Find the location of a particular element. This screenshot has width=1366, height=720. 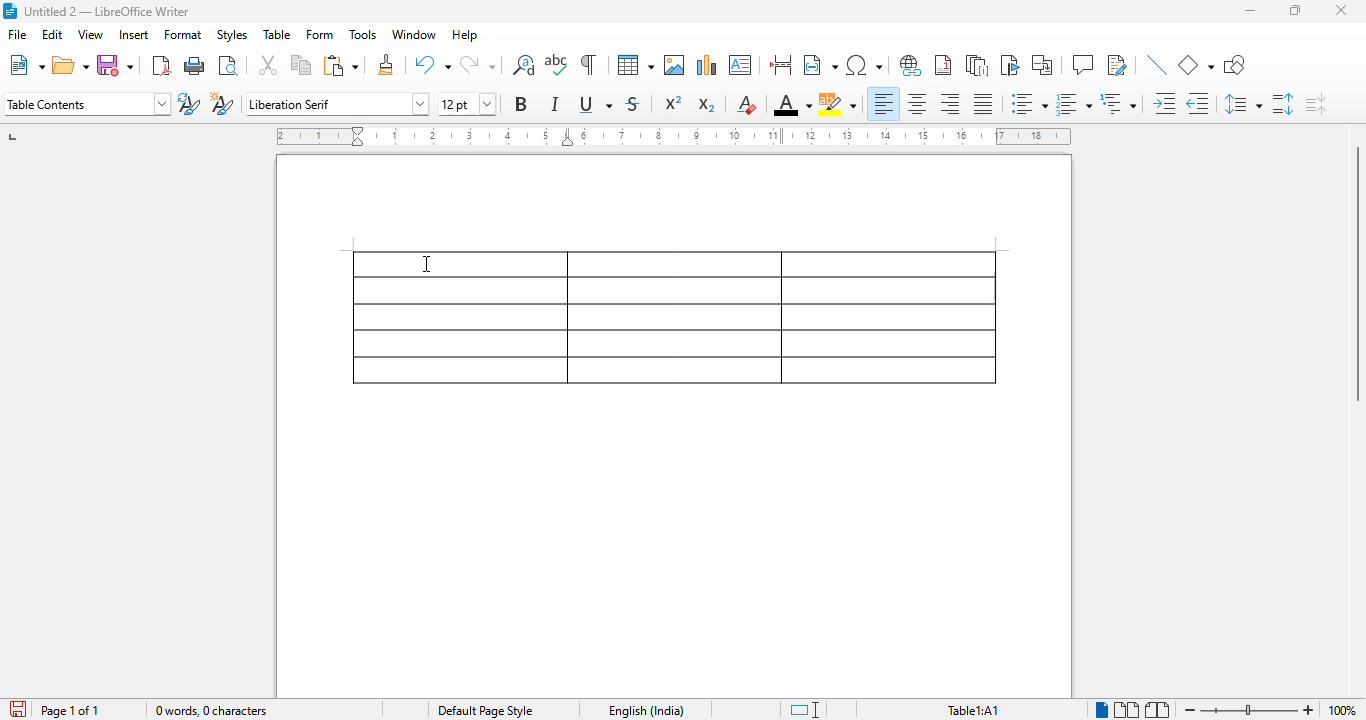

insert endnote is located at coordinates (977, 65).